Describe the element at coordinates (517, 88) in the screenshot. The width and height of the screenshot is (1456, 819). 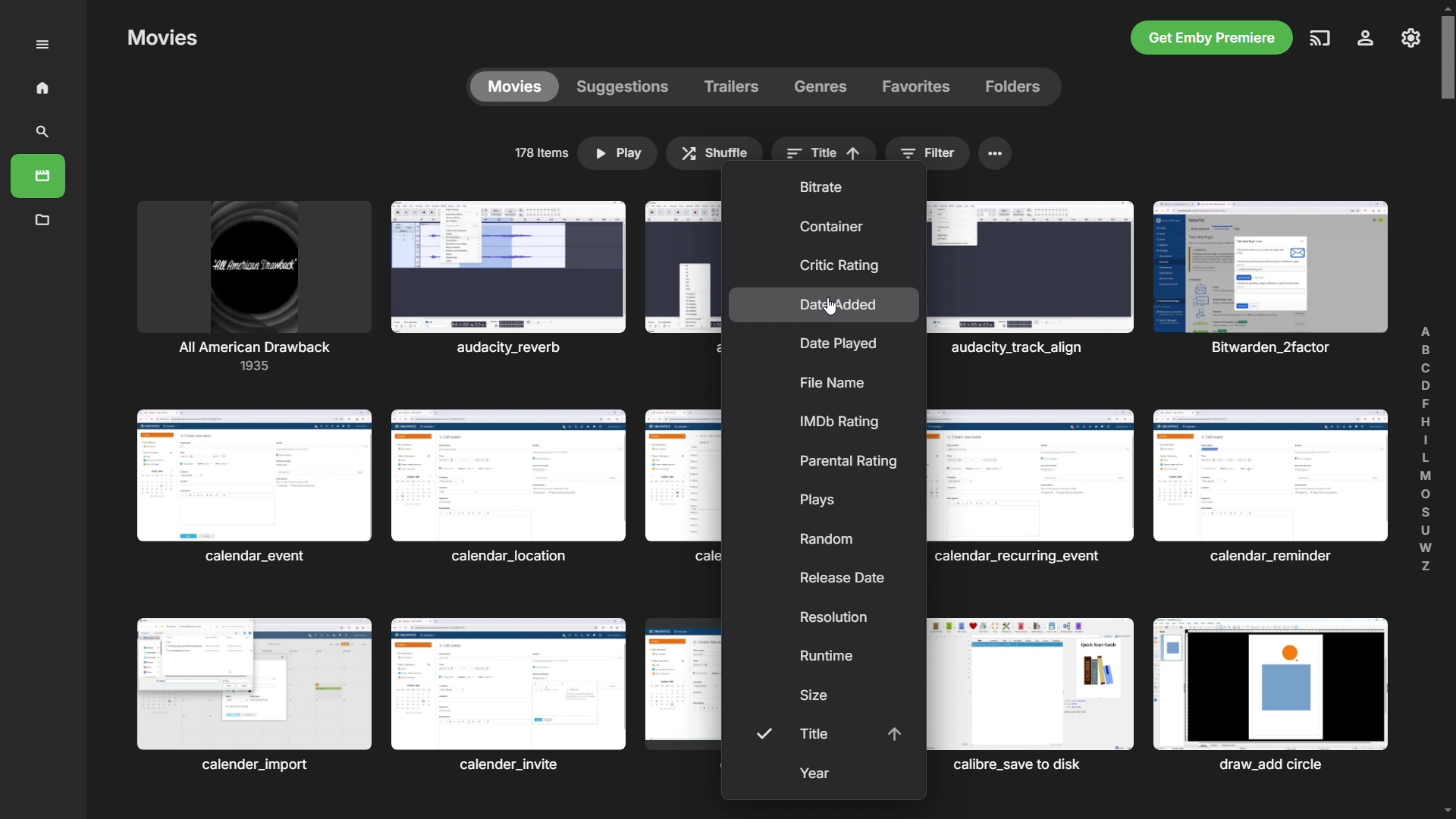
I see `movies` at that location.